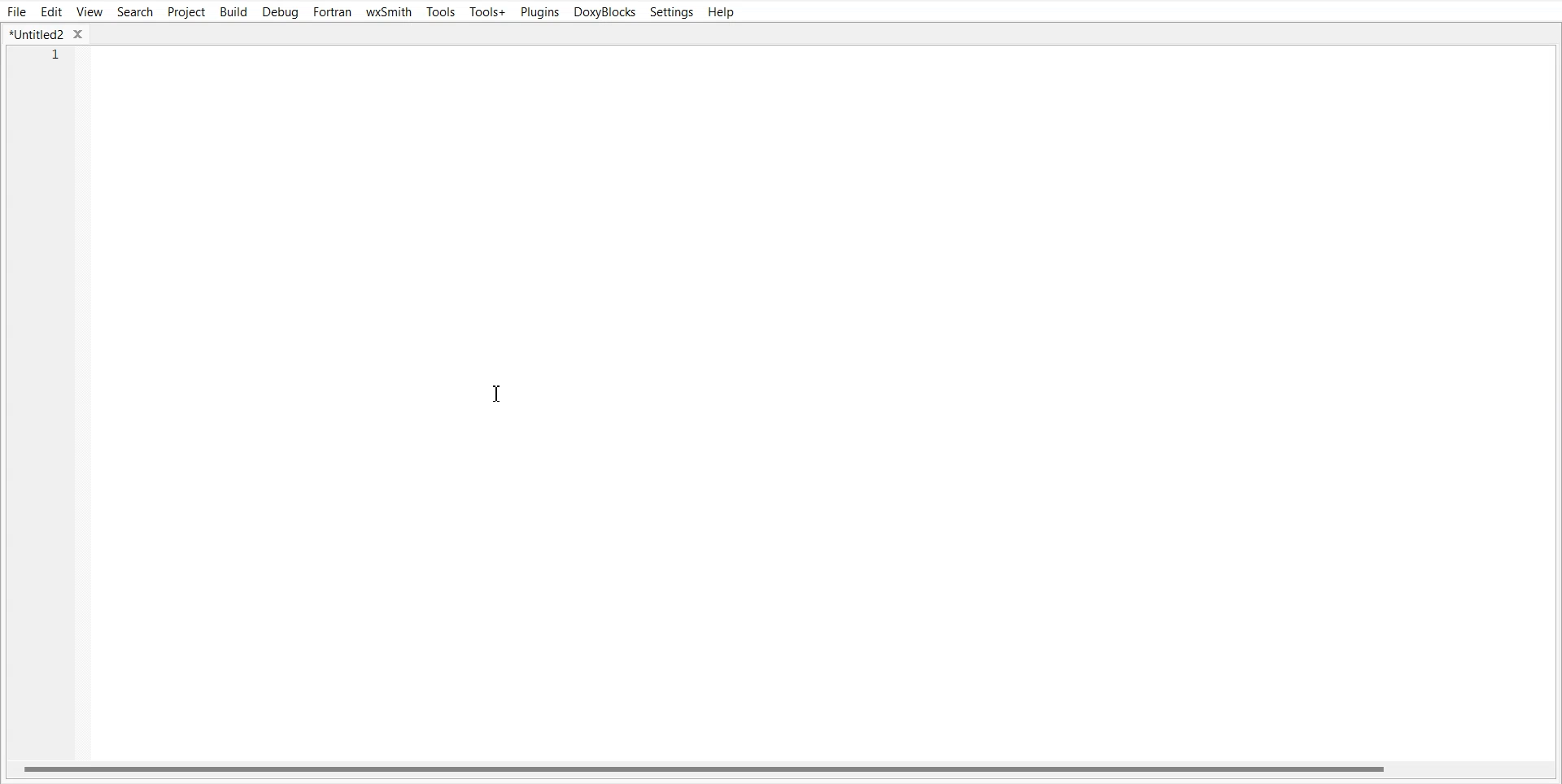  What do you see at coordinates (46, 58) in the screenshot?
I see `Line Number` at bounding box center [46, 58].